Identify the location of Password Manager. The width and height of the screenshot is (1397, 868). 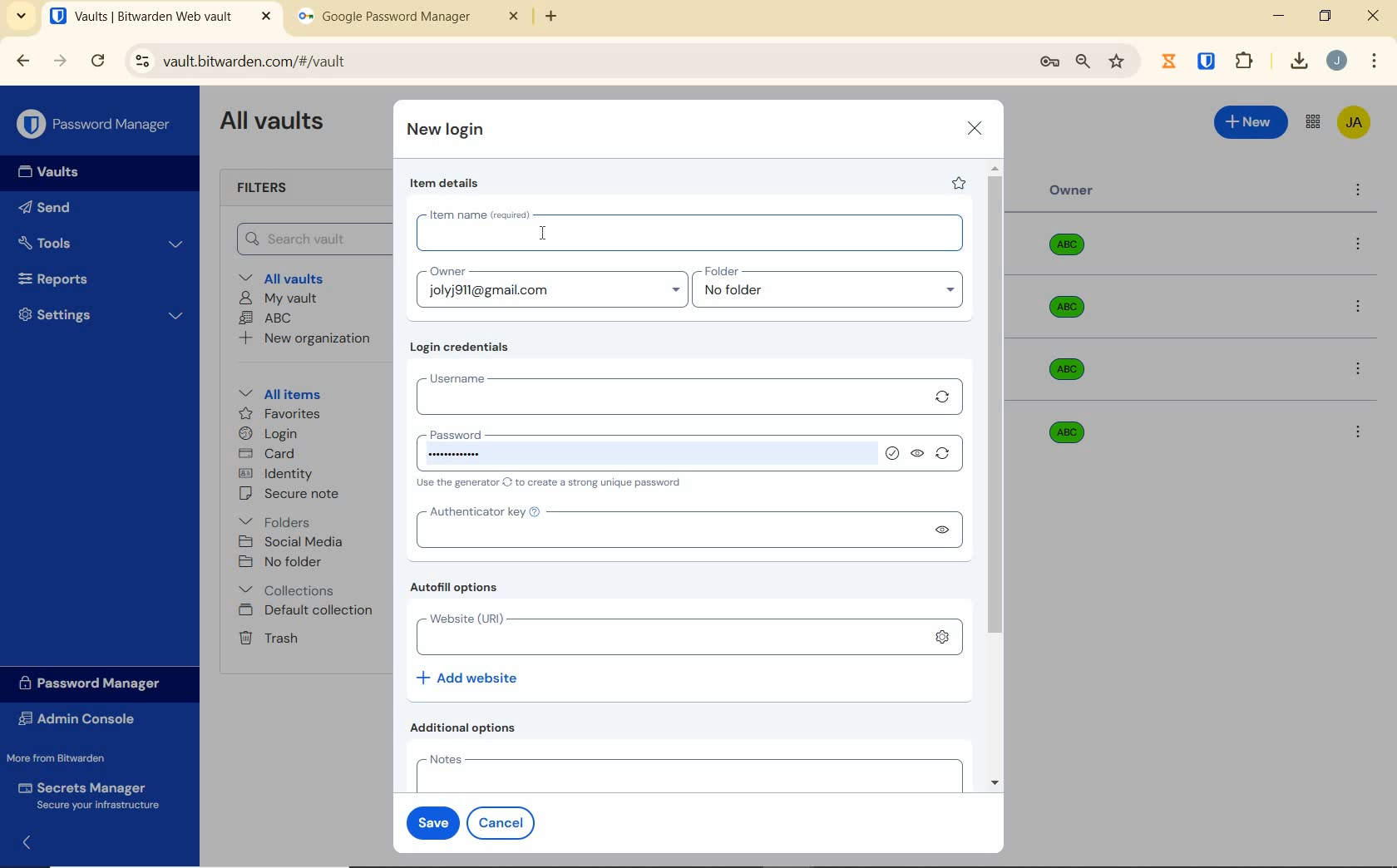
(96, 126).